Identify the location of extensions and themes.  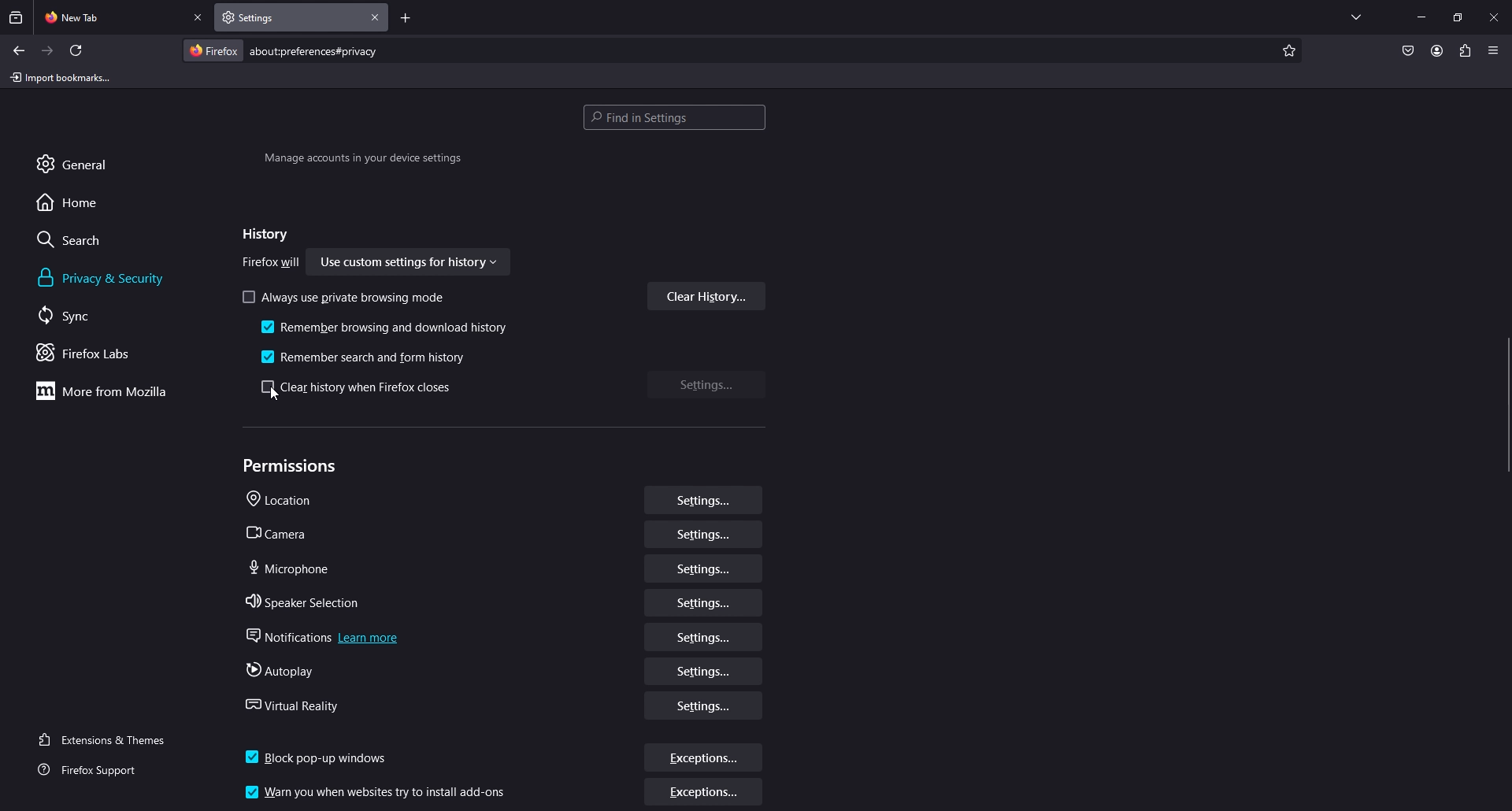
(112, 738).